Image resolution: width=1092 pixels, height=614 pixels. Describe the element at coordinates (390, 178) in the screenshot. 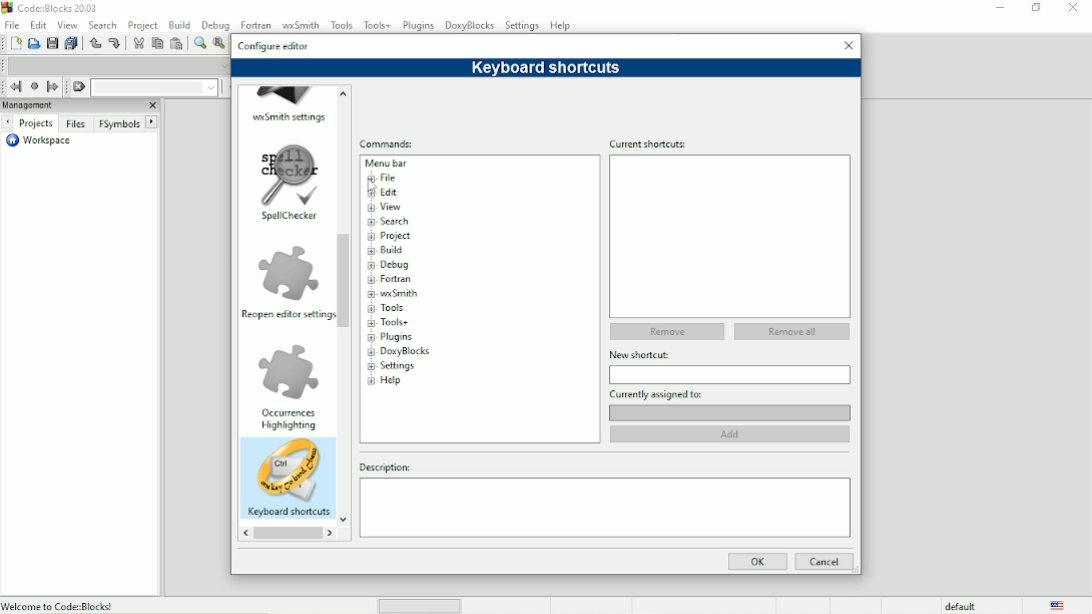

I see `File` at that location.